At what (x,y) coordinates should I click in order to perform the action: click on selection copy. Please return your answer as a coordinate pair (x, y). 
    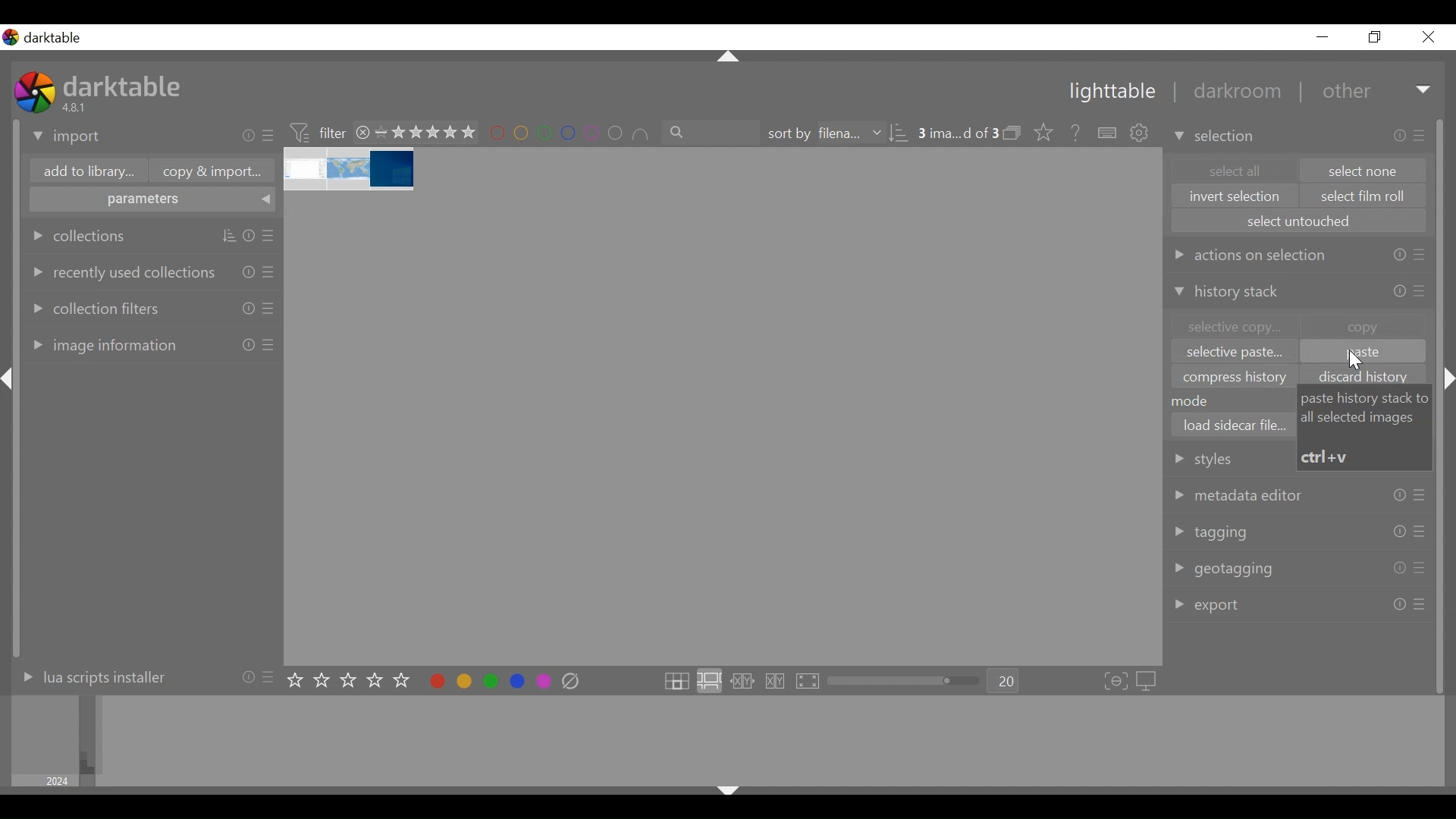
    Looking at the image, I should click on (1232, 327).